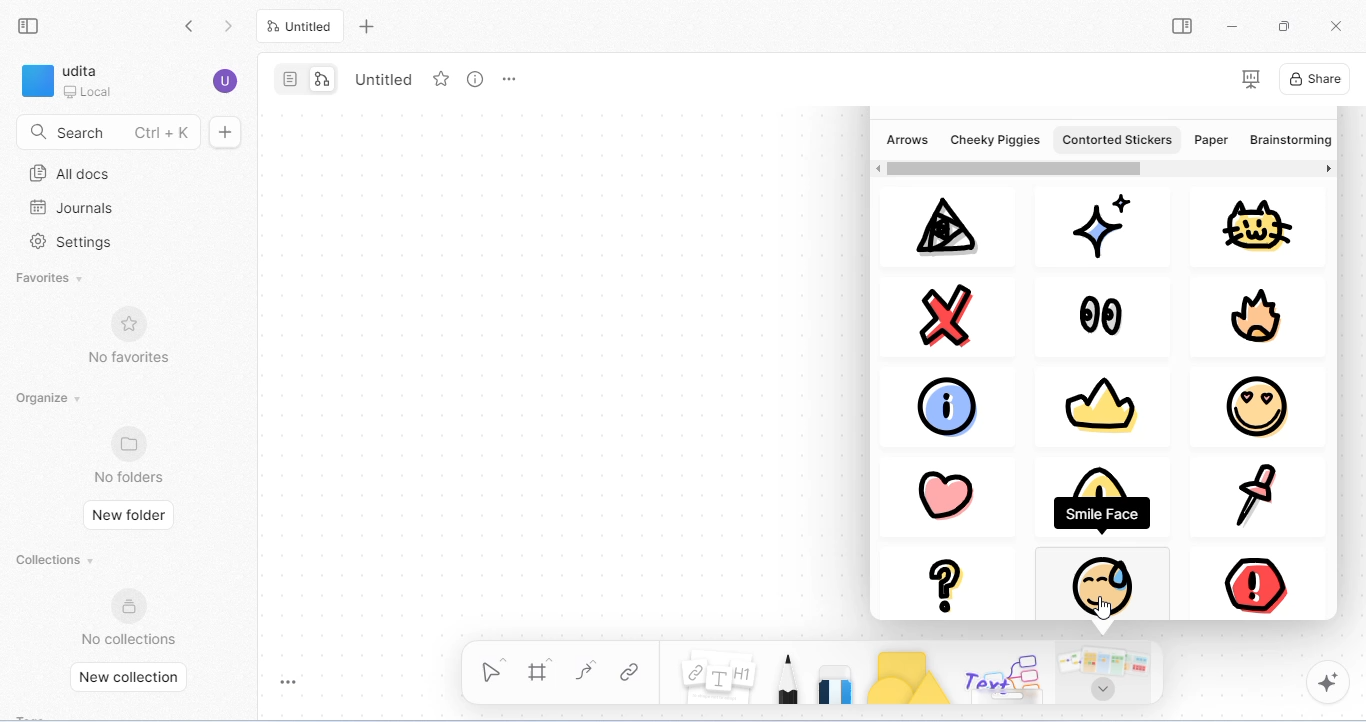 This screenshot has width=1366, height=722. I want to click on curve, so click(589, 671).